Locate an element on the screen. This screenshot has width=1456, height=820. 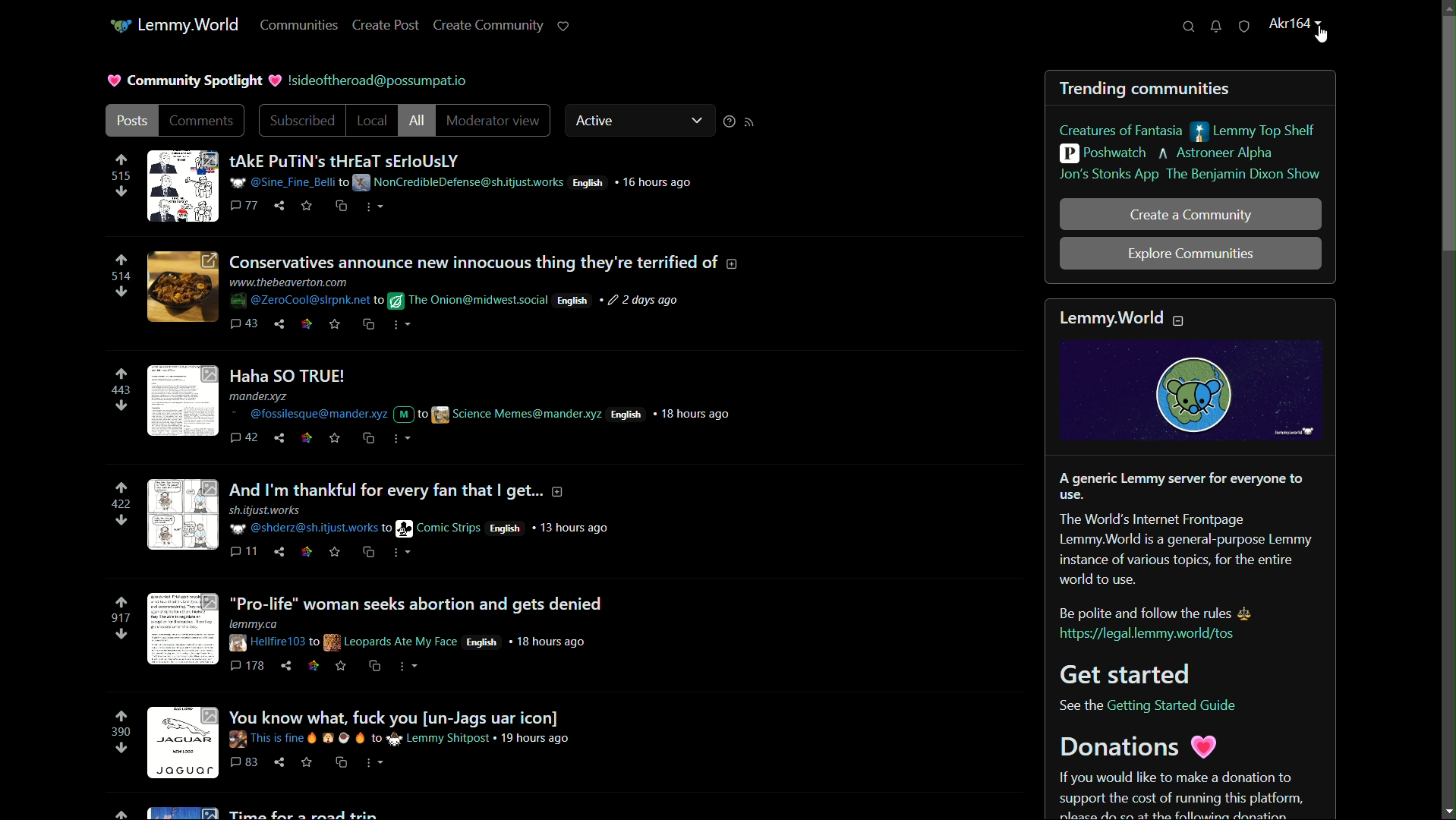
communities is located at coordinates (299, 27).